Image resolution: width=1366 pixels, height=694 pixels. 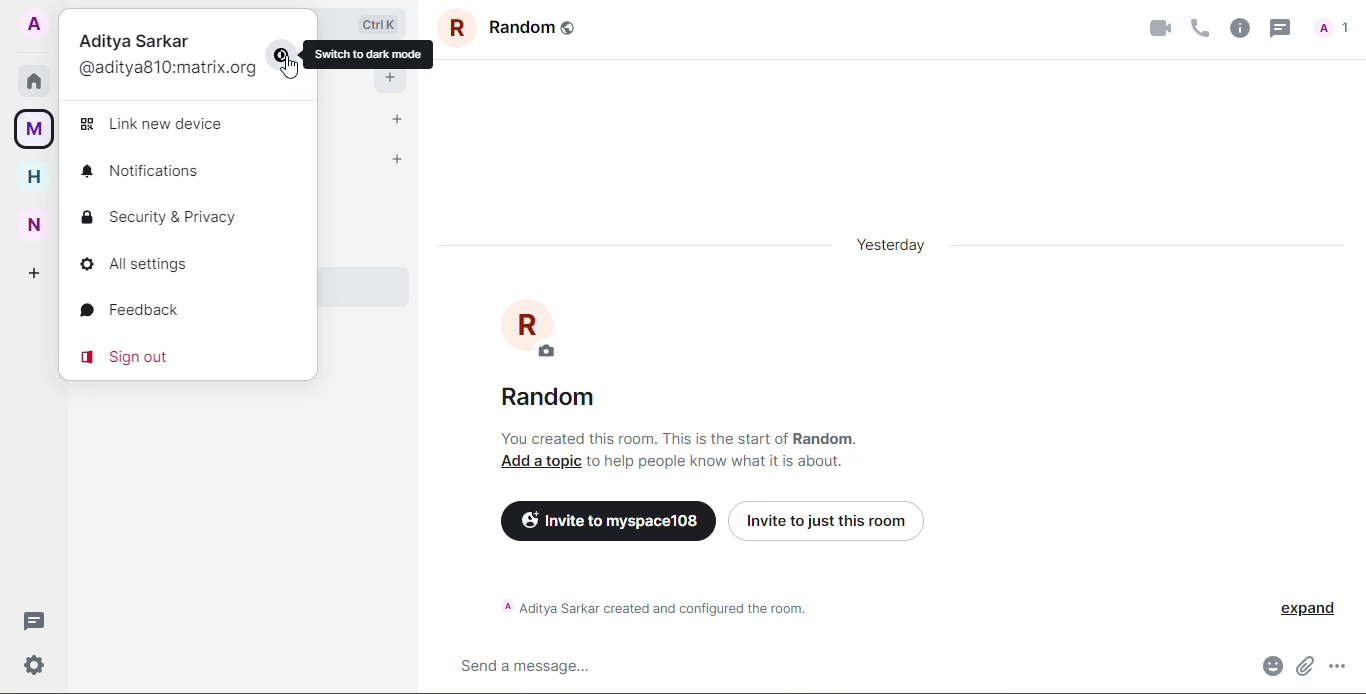 What do you see at coordinates (1278, 27) in the screenshot?
I see `threads` at bounding box center [1278, 27].